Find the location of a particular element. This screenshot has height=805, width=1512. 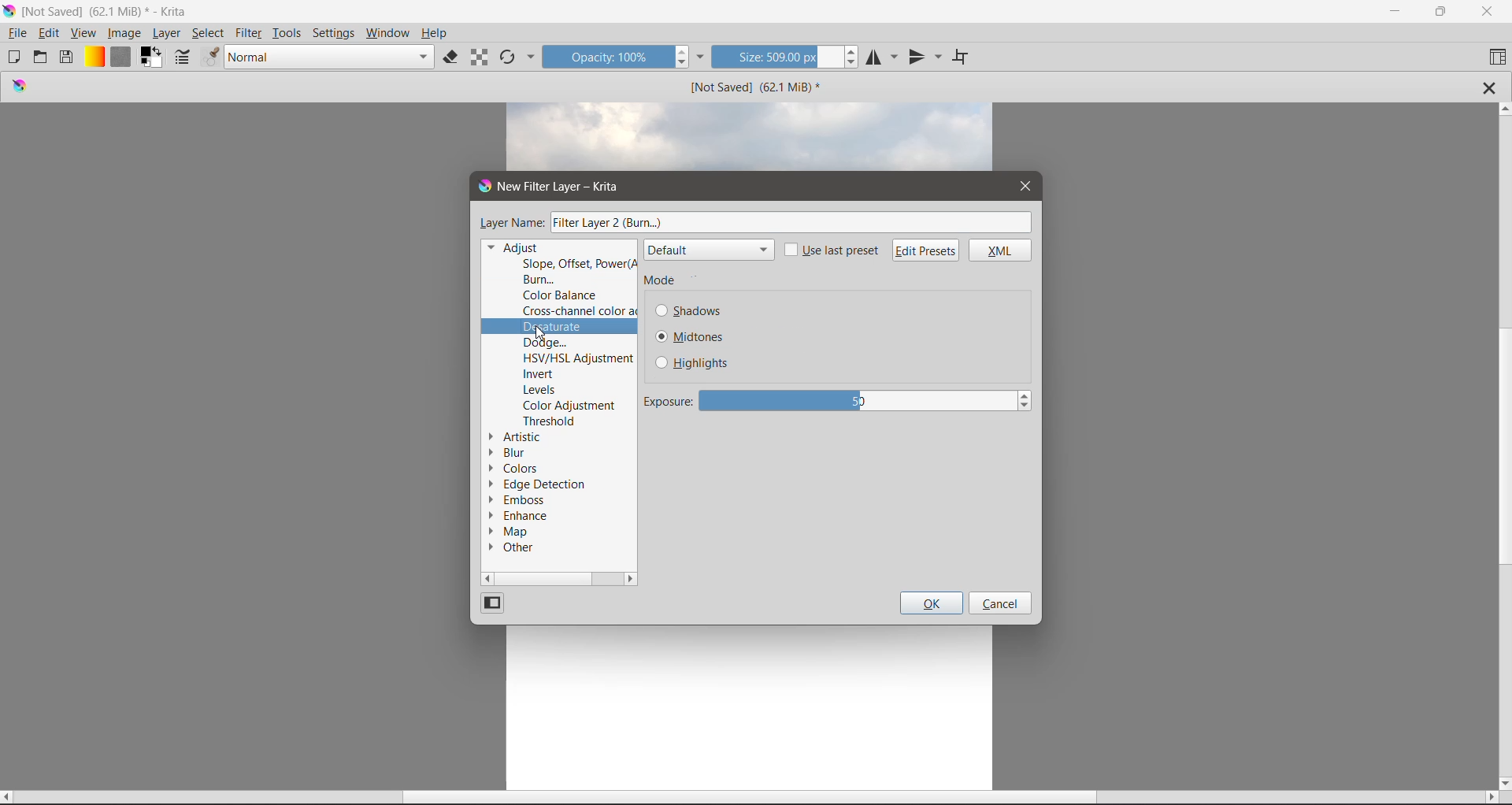

Horizontal Mirror Tool is located at coordinates (882, 58).